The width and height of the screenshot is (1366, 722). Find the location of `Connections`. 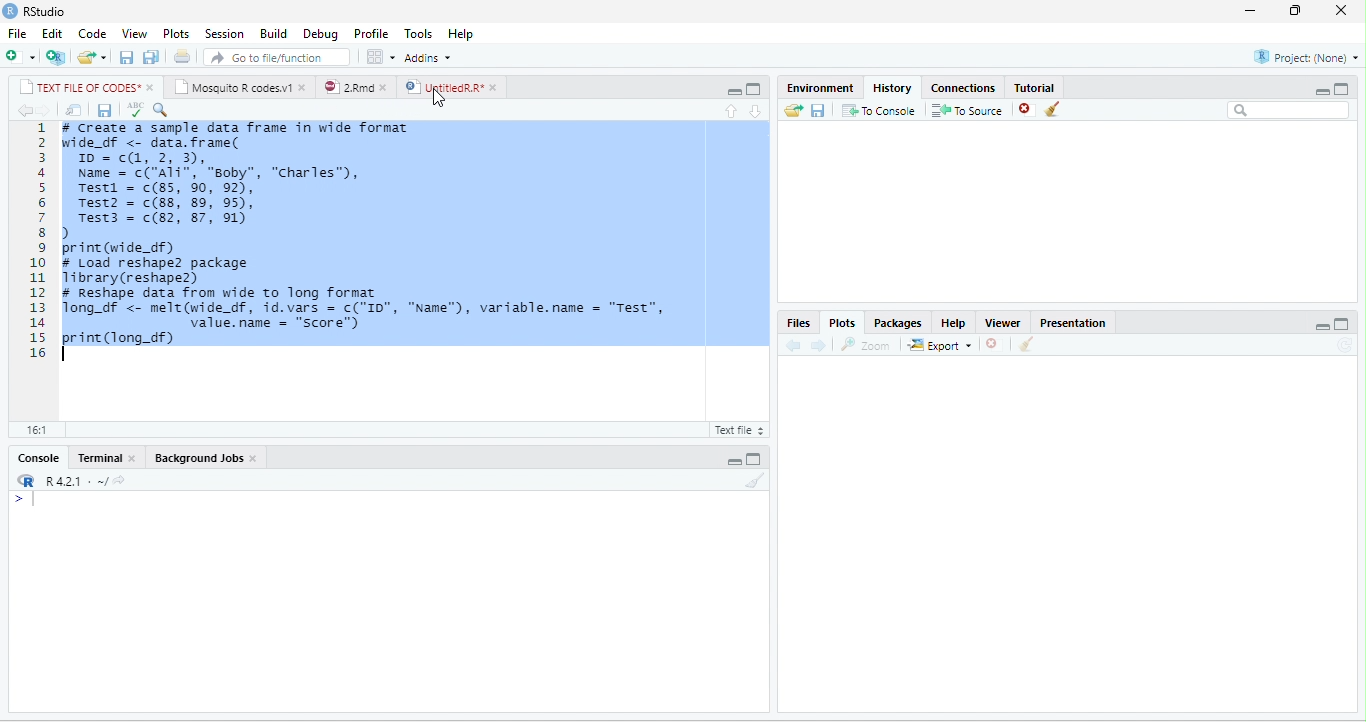

Connections is located at coordinates (963, 88).